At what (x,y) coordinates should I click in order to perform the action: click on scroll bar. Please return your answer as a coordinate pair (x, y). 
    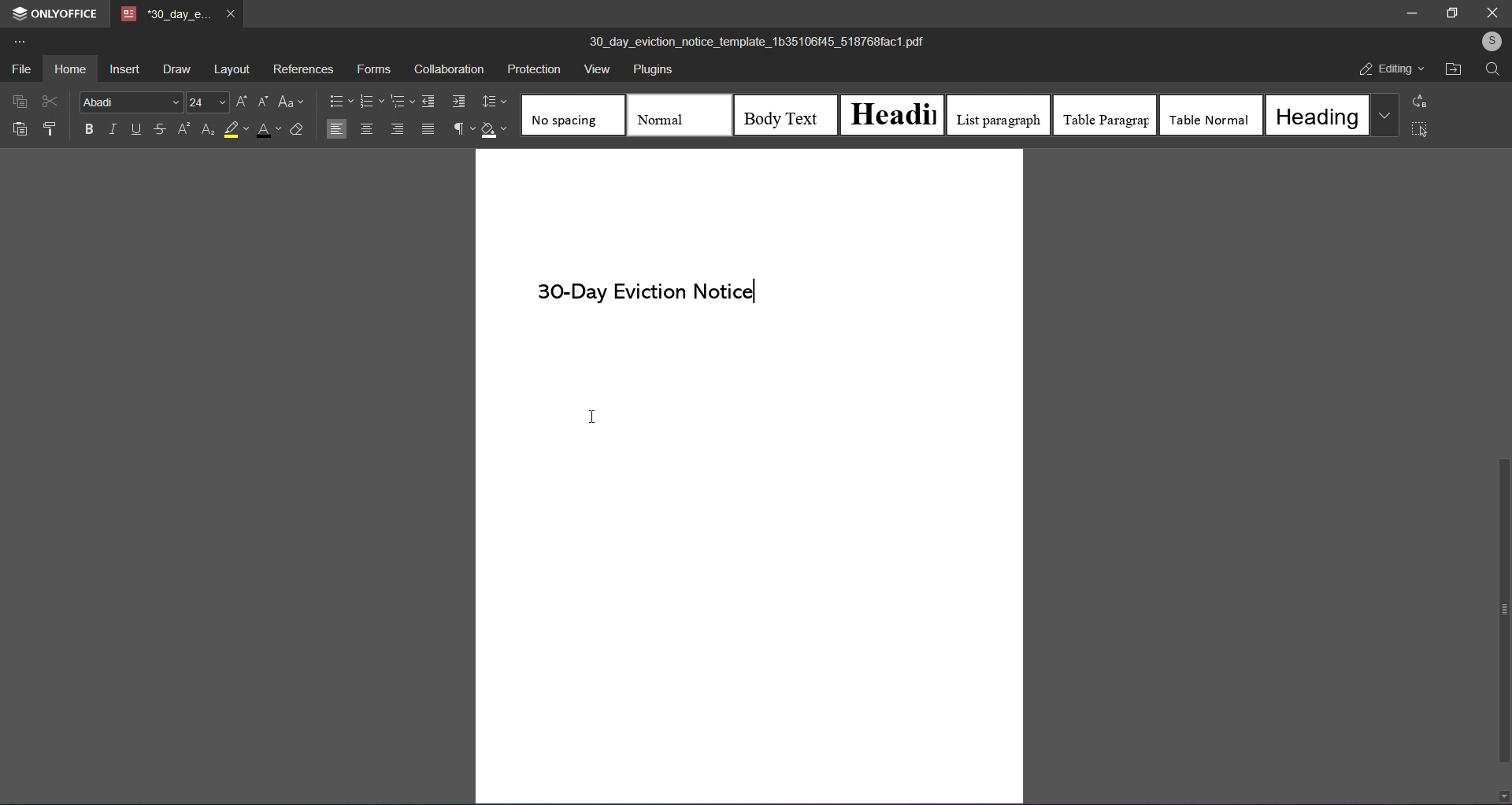
    Looking at the image, I should click on (1502, 611).